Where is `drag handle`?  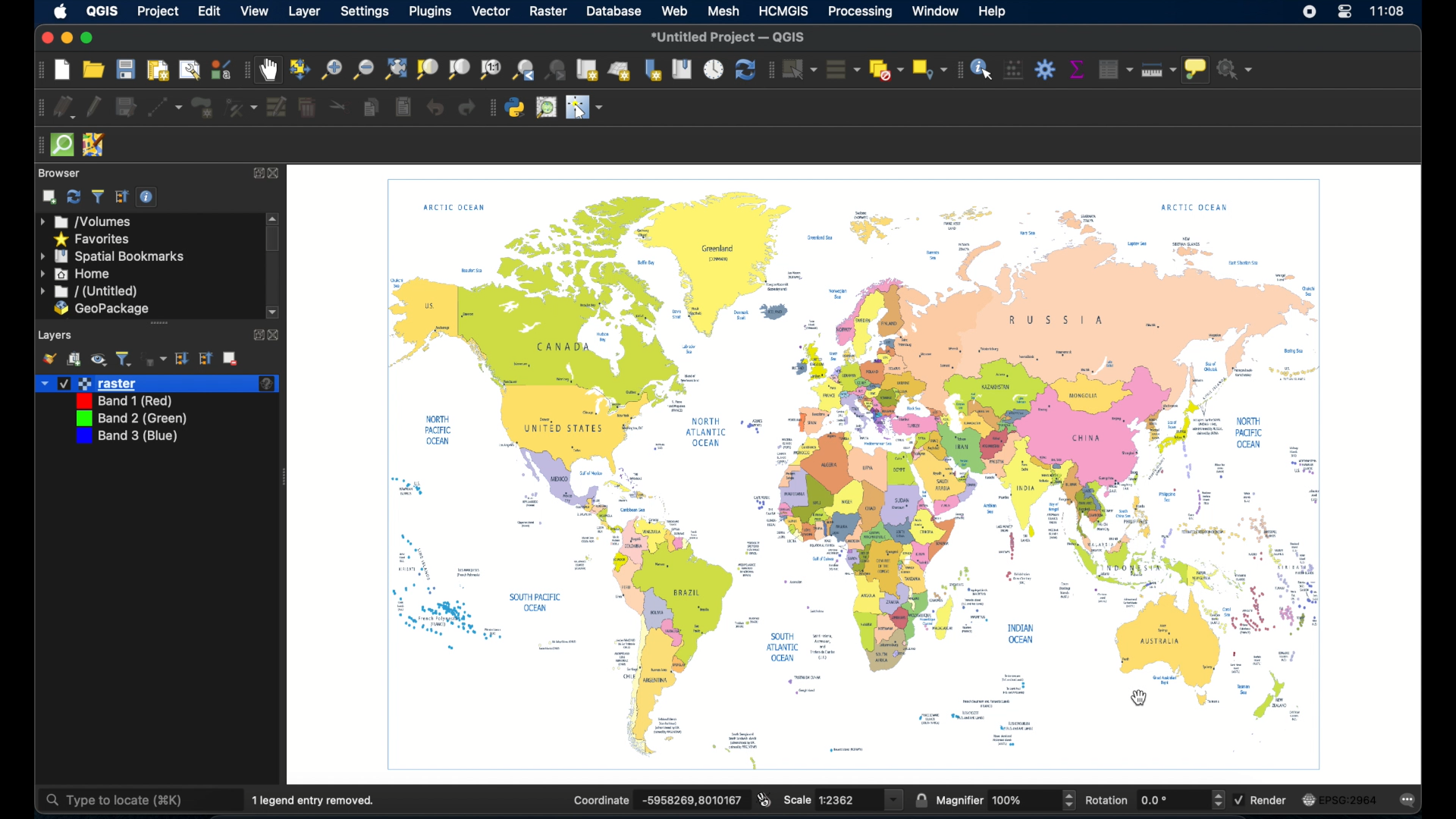
drag handle is located at coordinates (35, 145).